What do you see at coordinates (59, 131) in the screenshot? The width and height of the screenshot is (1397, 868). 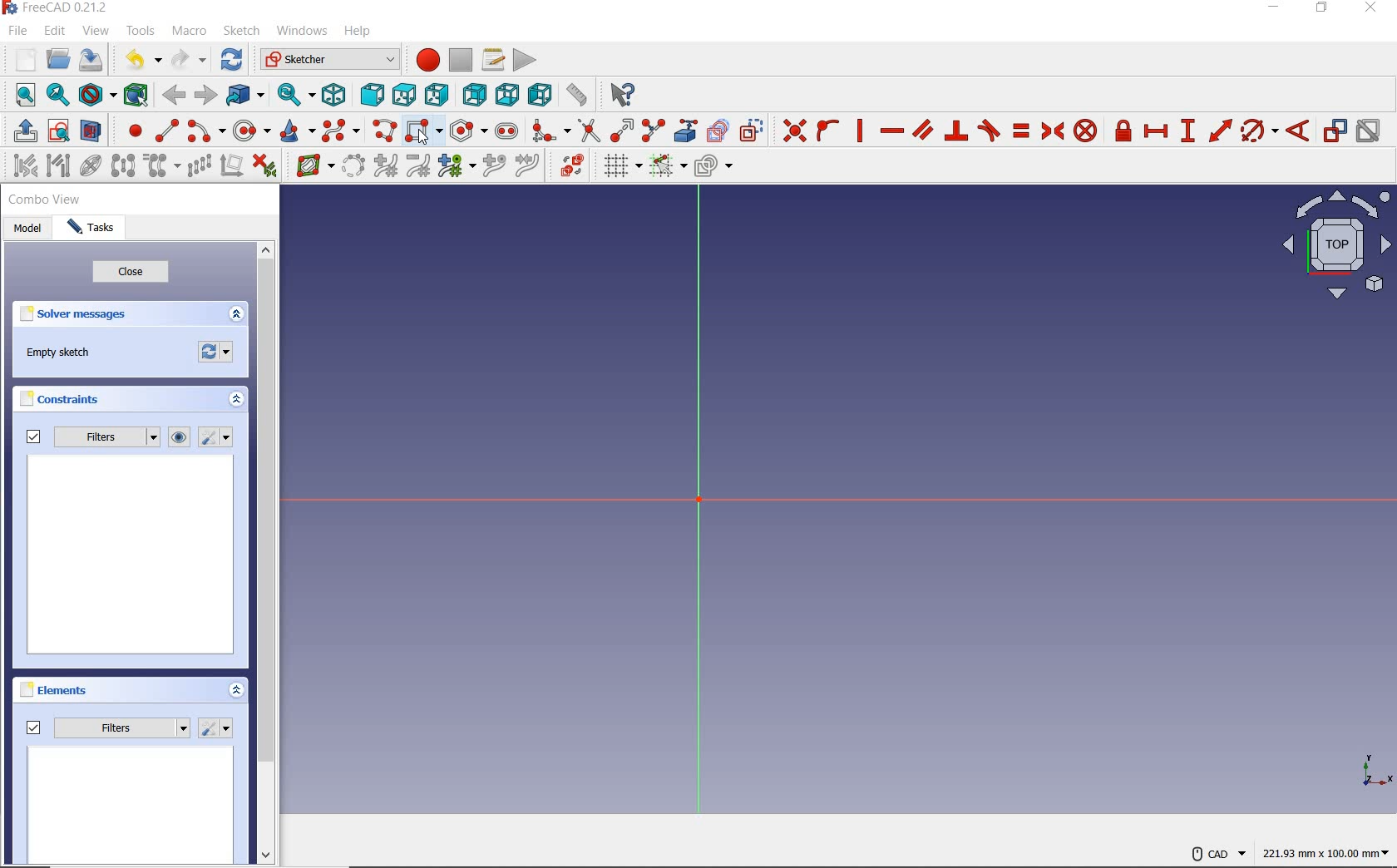 I see `view sketch` at bounding box center [59, 131].